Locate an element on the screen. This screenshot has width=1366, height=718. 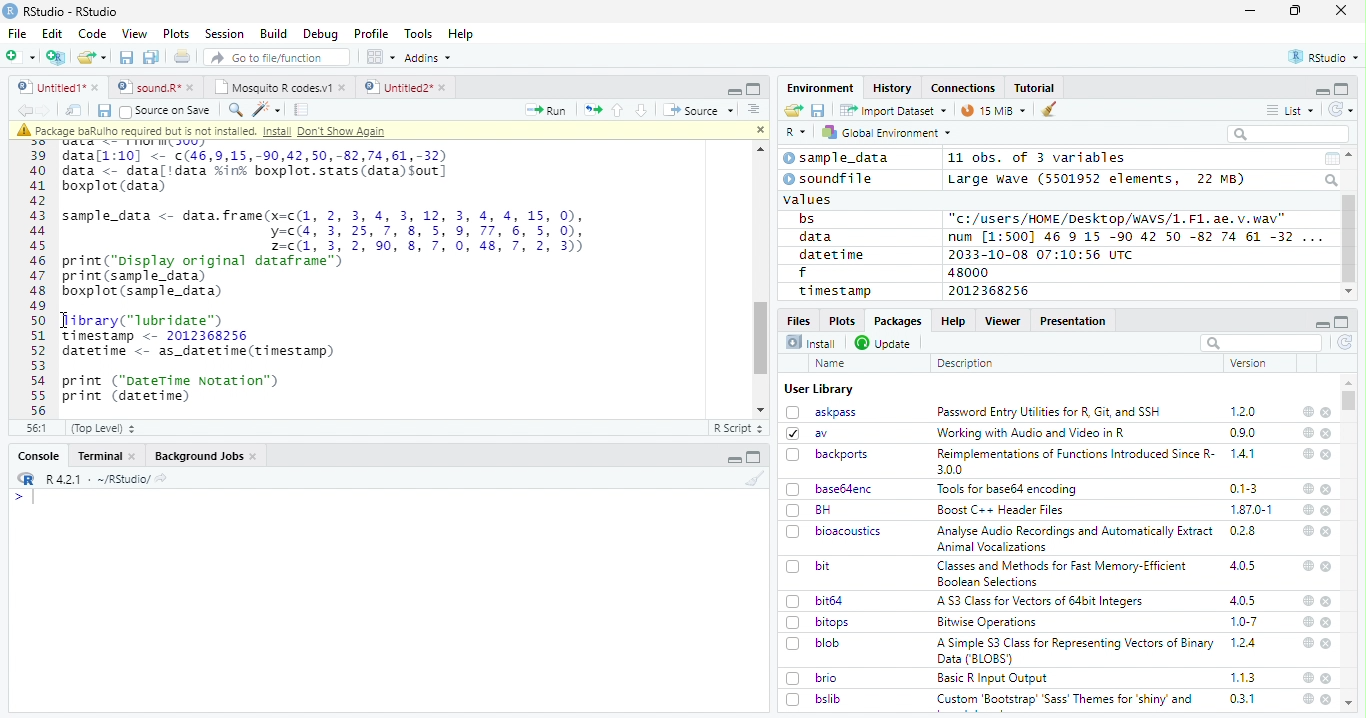
Import Dataset is located at coordinates (893, 110).